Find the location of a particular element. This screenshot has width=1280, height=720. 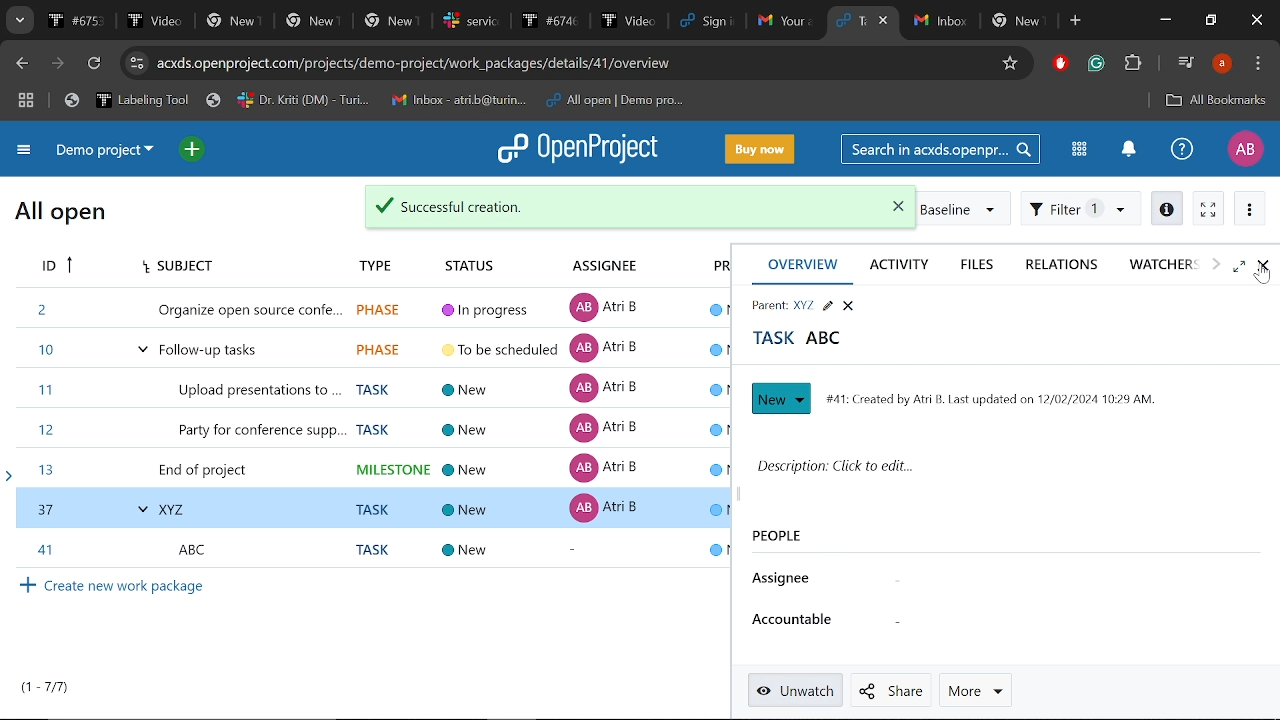

More actions is located at coordinates (1250, 208).